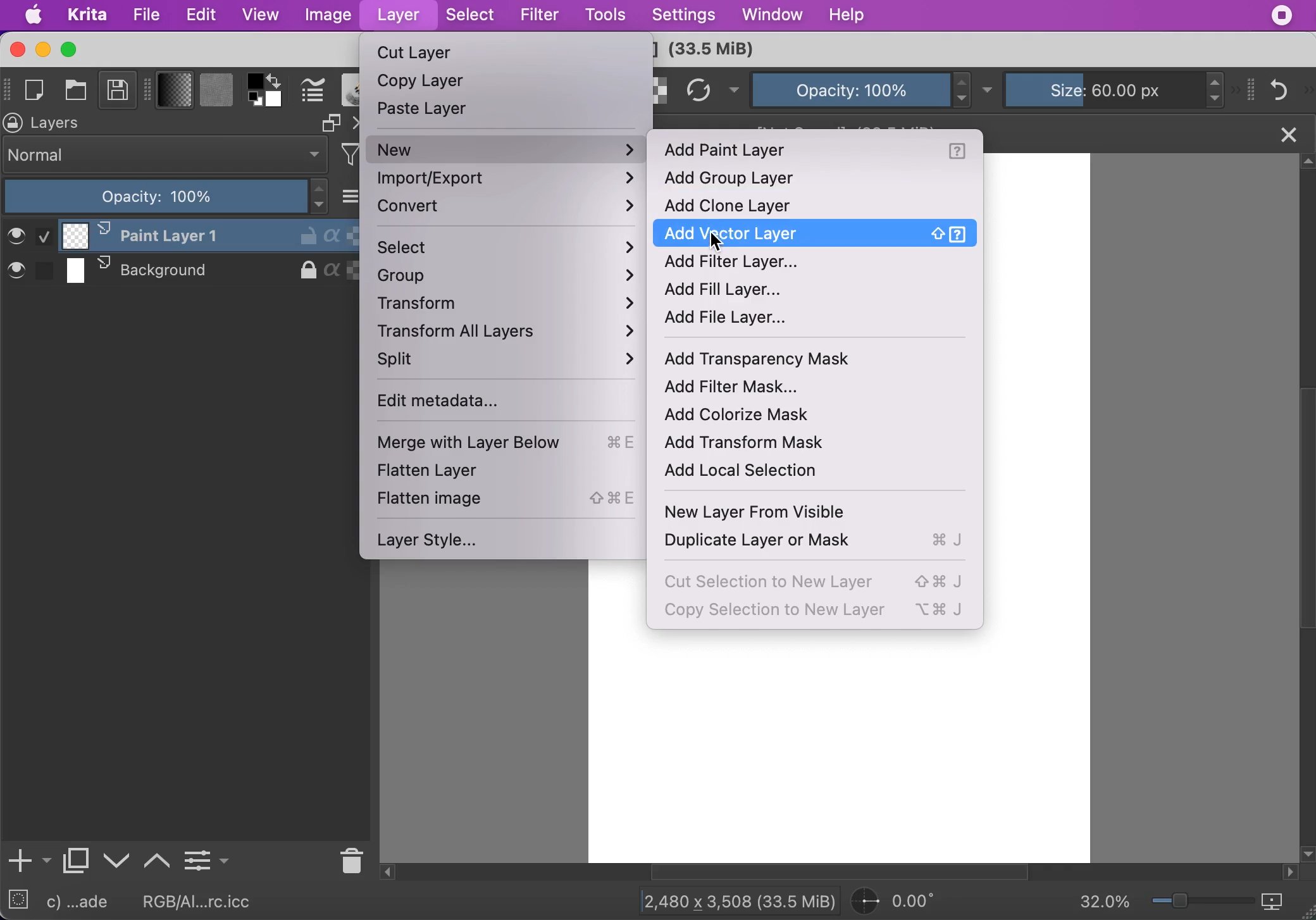 The image size is (1316, 920). What do you see at coordinates (117, 861) in the screenshot?
I see `move layer or mask down` at bounding box center [117, 861].